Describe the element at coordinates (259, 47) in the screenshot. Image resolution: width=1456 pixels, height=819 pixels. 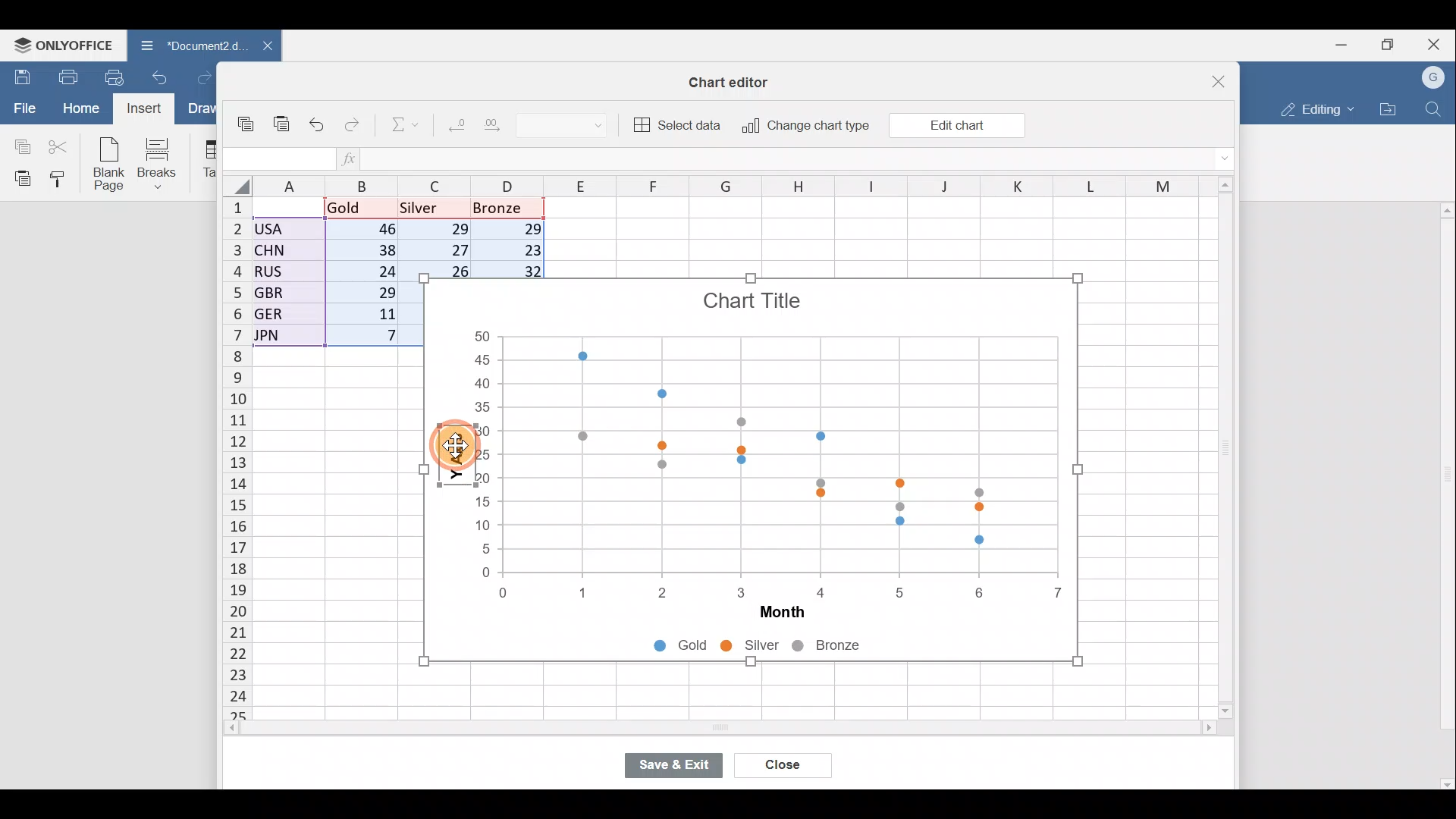
I see `Close document` at that location.